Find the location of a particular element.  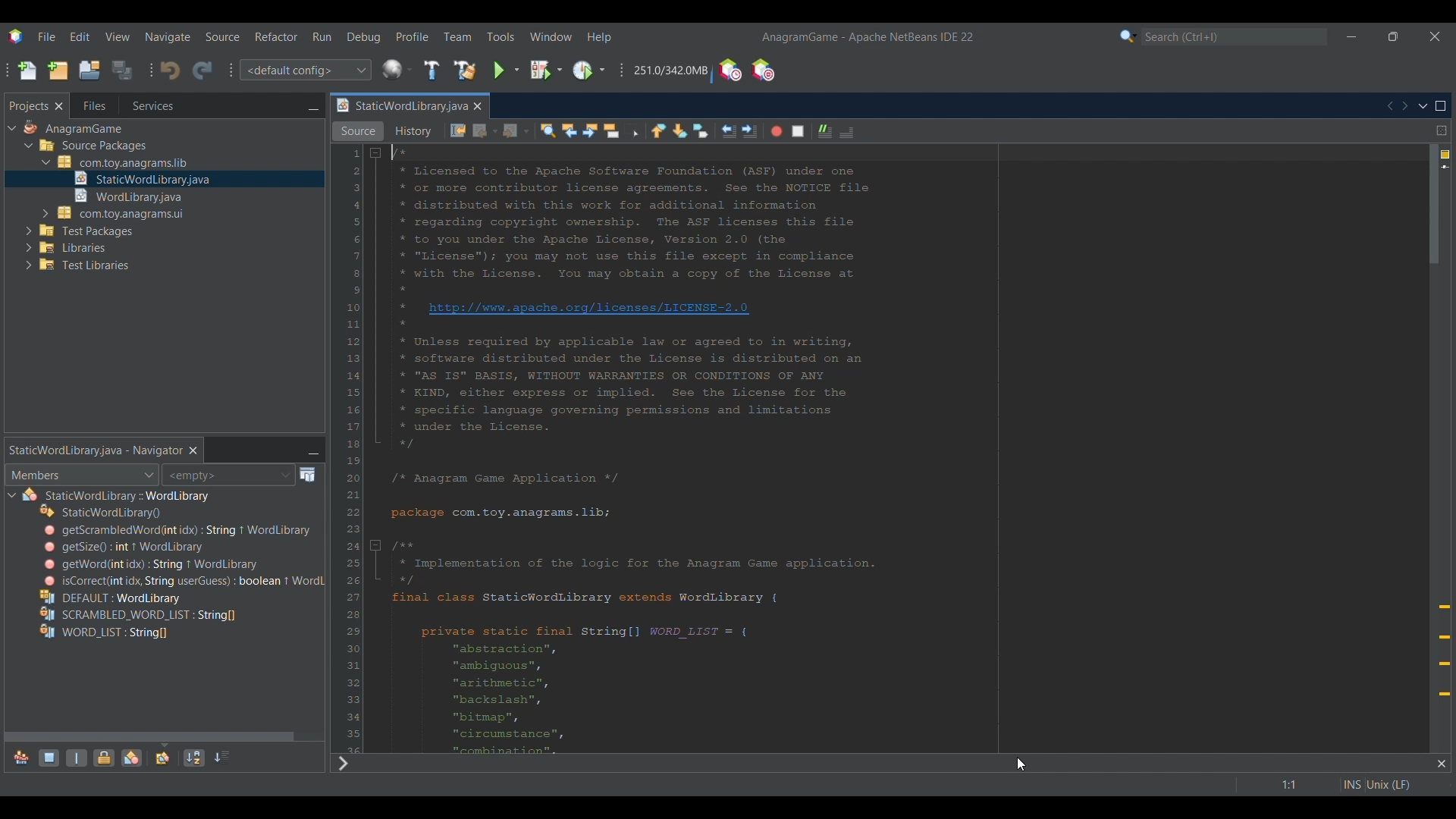

Refactor menu is located at coordinates (276, 36).